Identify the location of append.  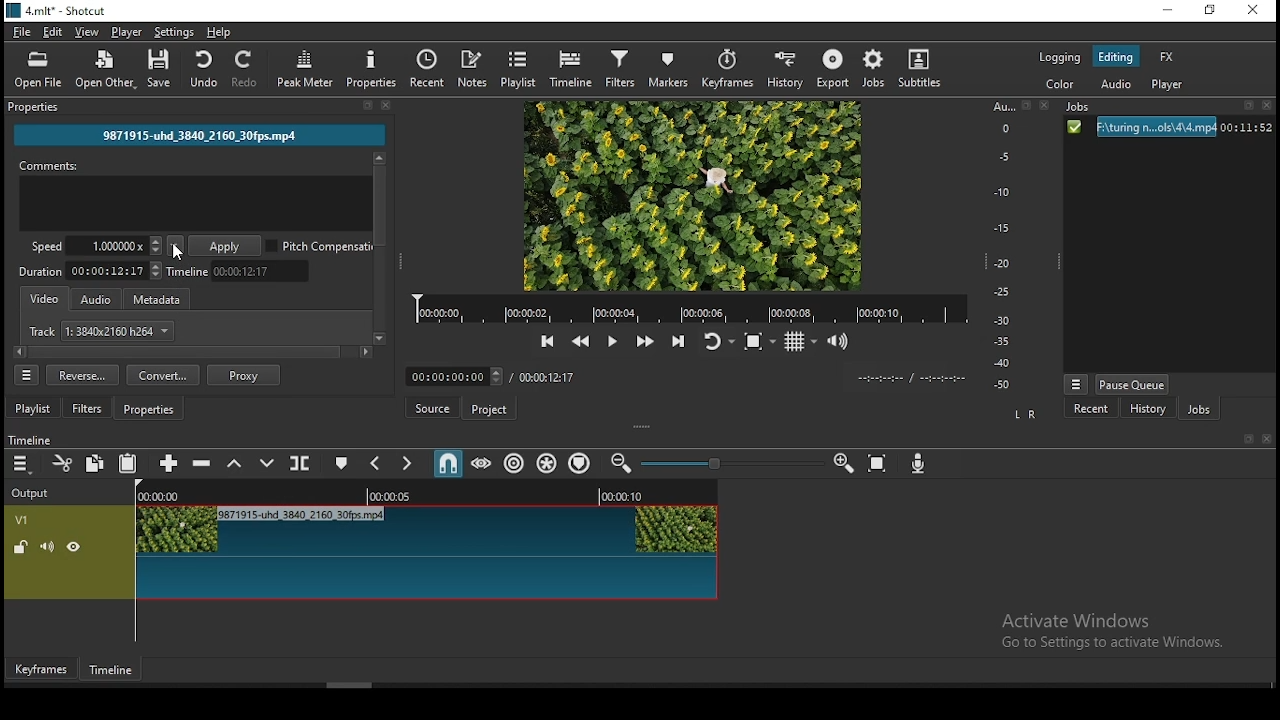
(166, 462).